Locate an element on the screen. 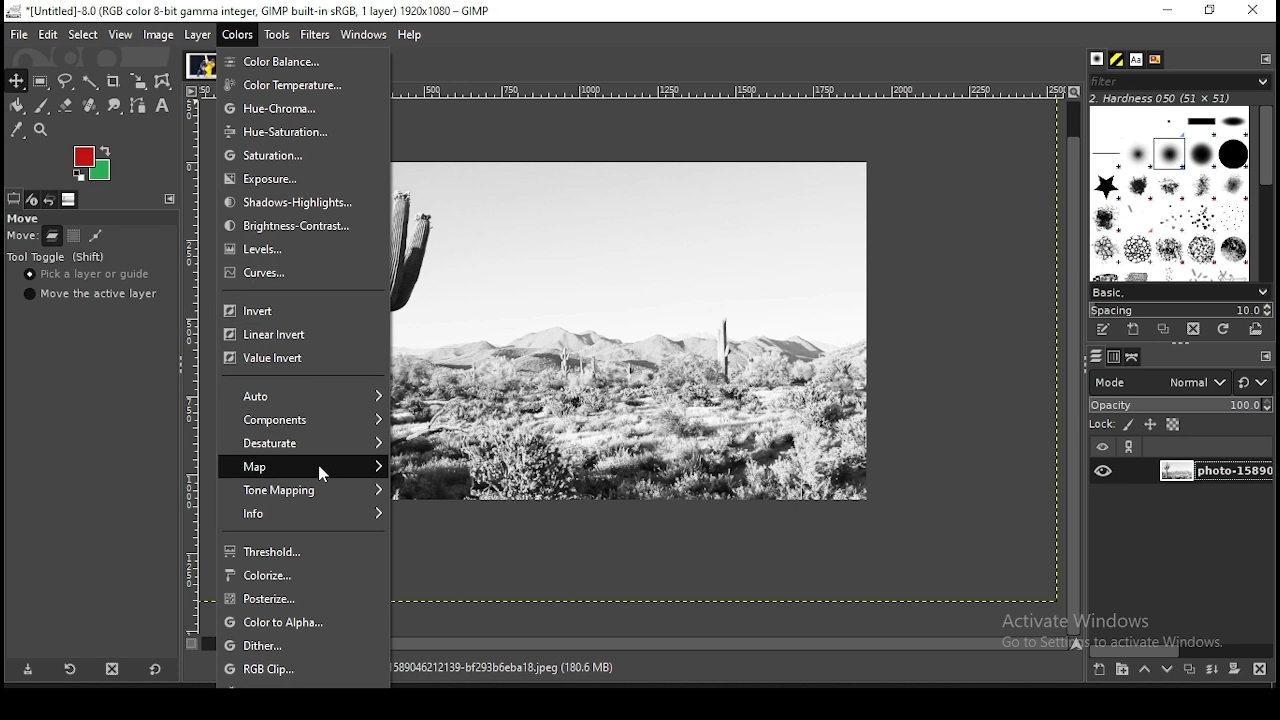 This screenshot has width=1280, height=720. restore is located at coordinates (1211, 10).